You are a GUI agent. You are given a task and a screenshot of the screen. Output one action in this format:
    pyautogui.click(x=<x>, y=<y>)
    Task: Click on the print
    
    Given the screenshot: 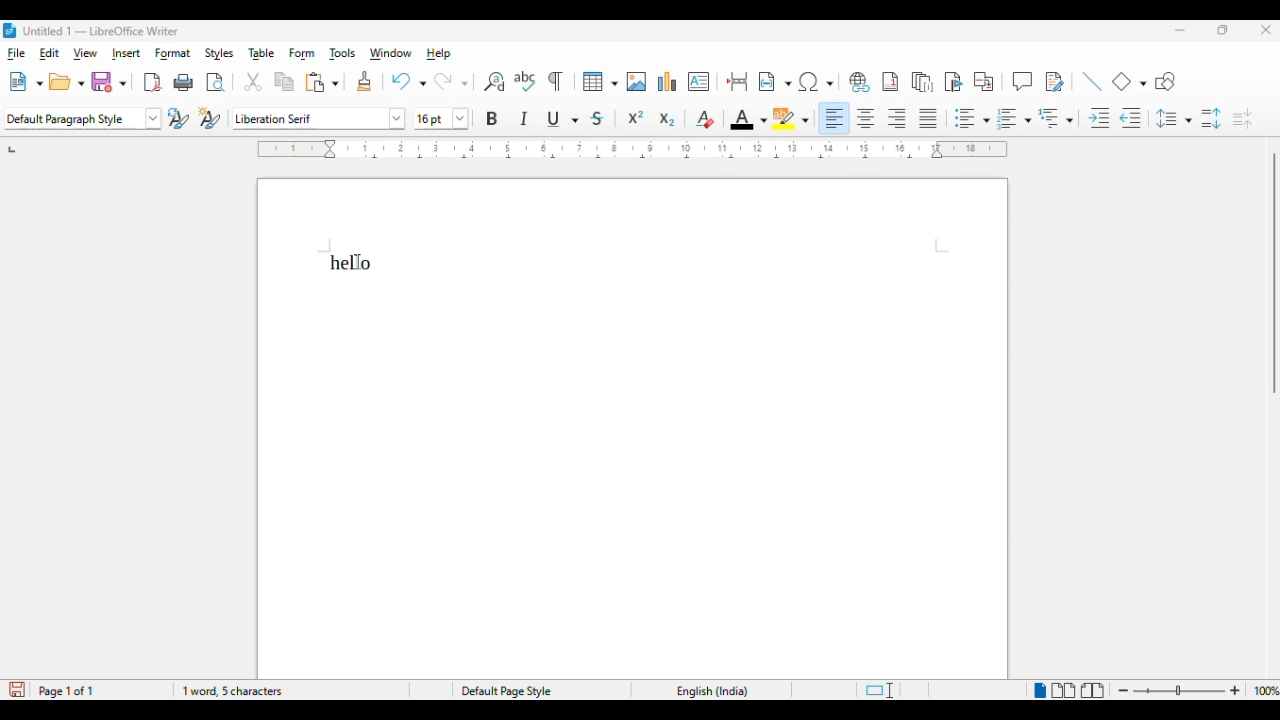 What is the action you would take?
    pyautogui.click(x=183, y=83)
    